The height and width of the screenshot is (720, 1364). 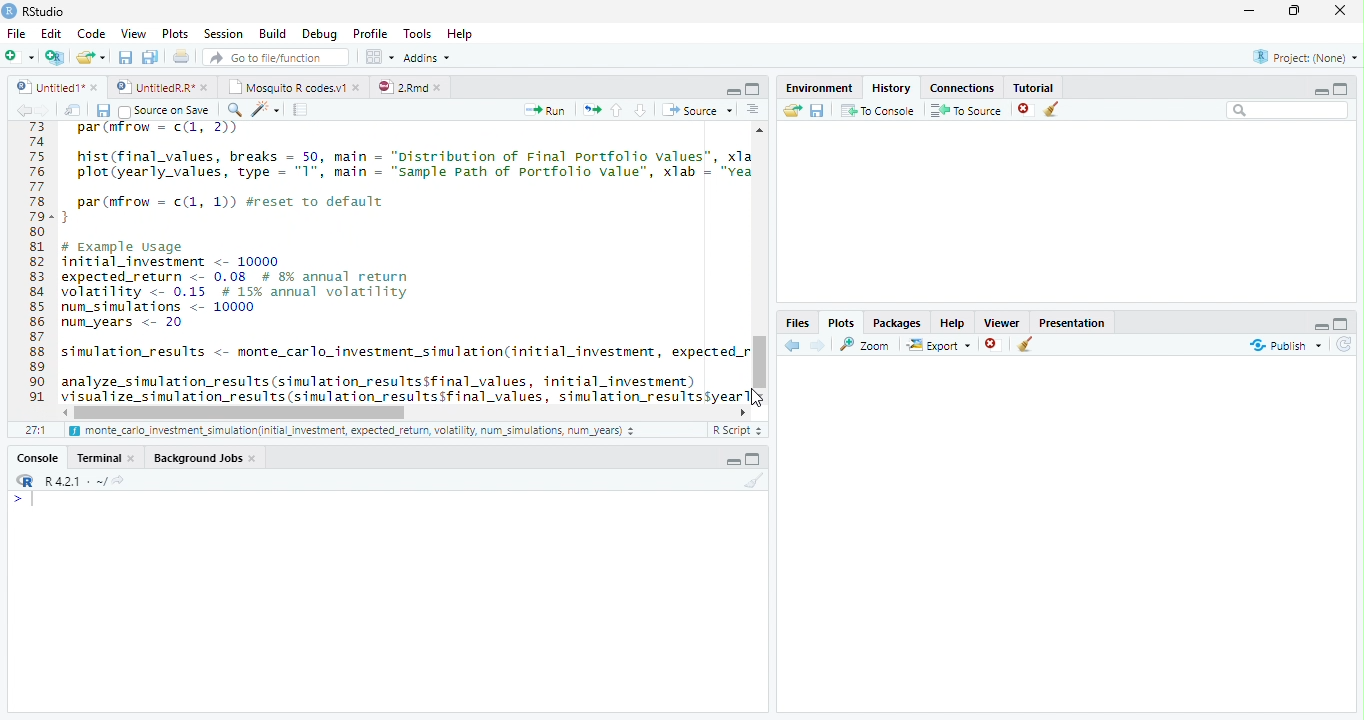 I want to click on next source location, so click(x=44, y=110).